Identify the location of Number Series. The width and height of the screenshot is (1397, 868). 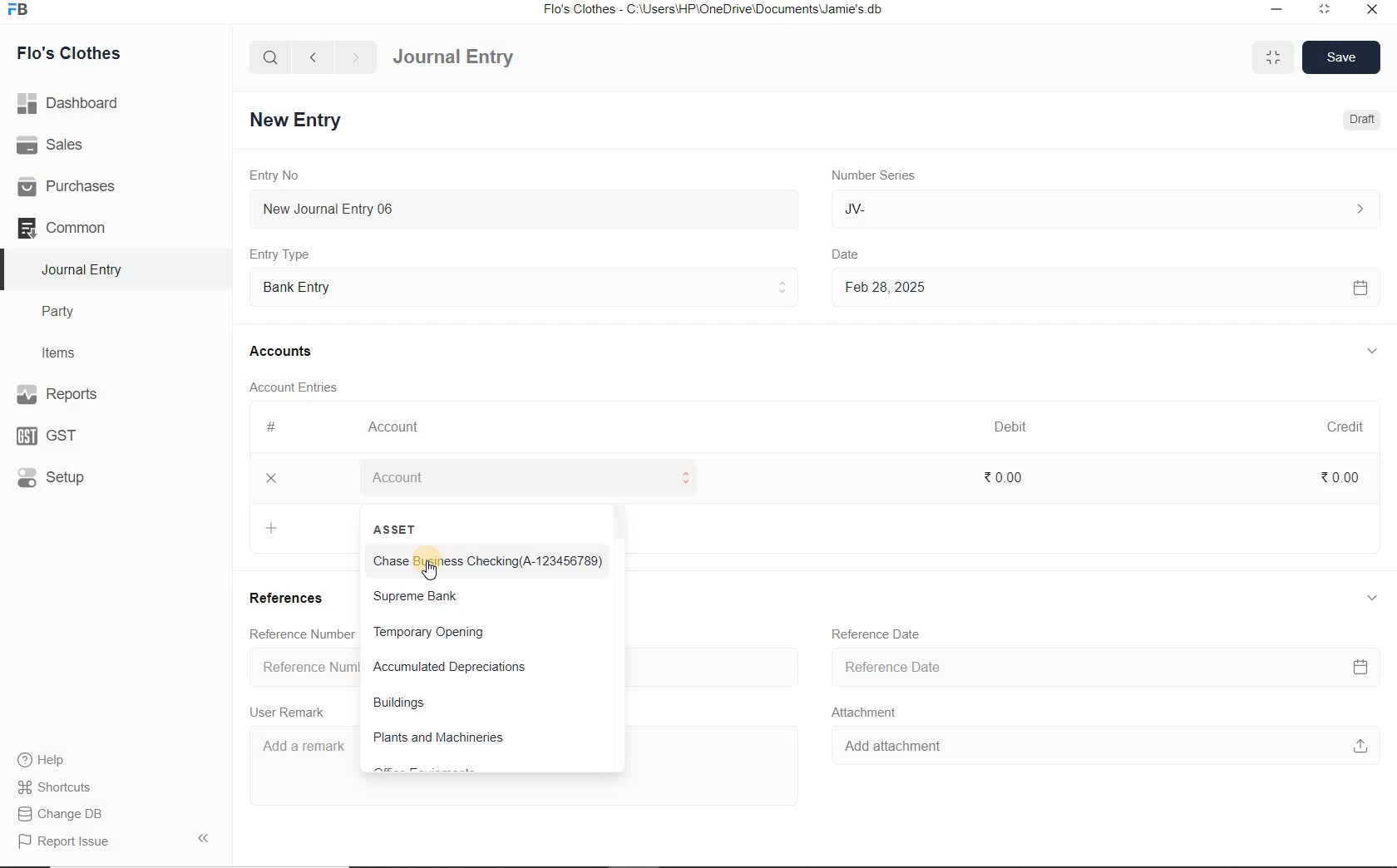
(871, 175).